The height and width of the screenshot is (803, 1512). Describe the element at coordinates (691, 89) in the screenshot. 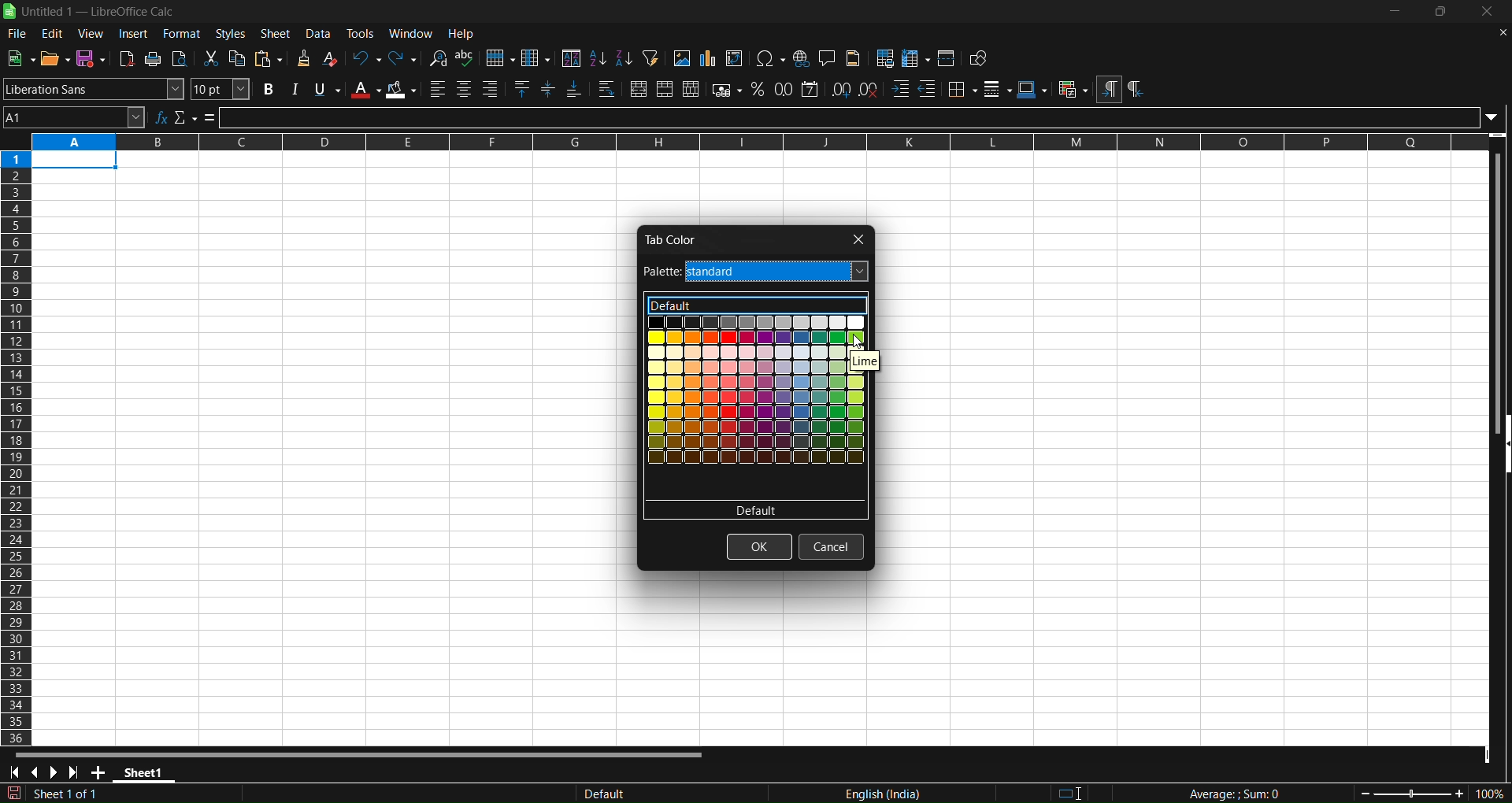

I see `unmerge cells` at that location.